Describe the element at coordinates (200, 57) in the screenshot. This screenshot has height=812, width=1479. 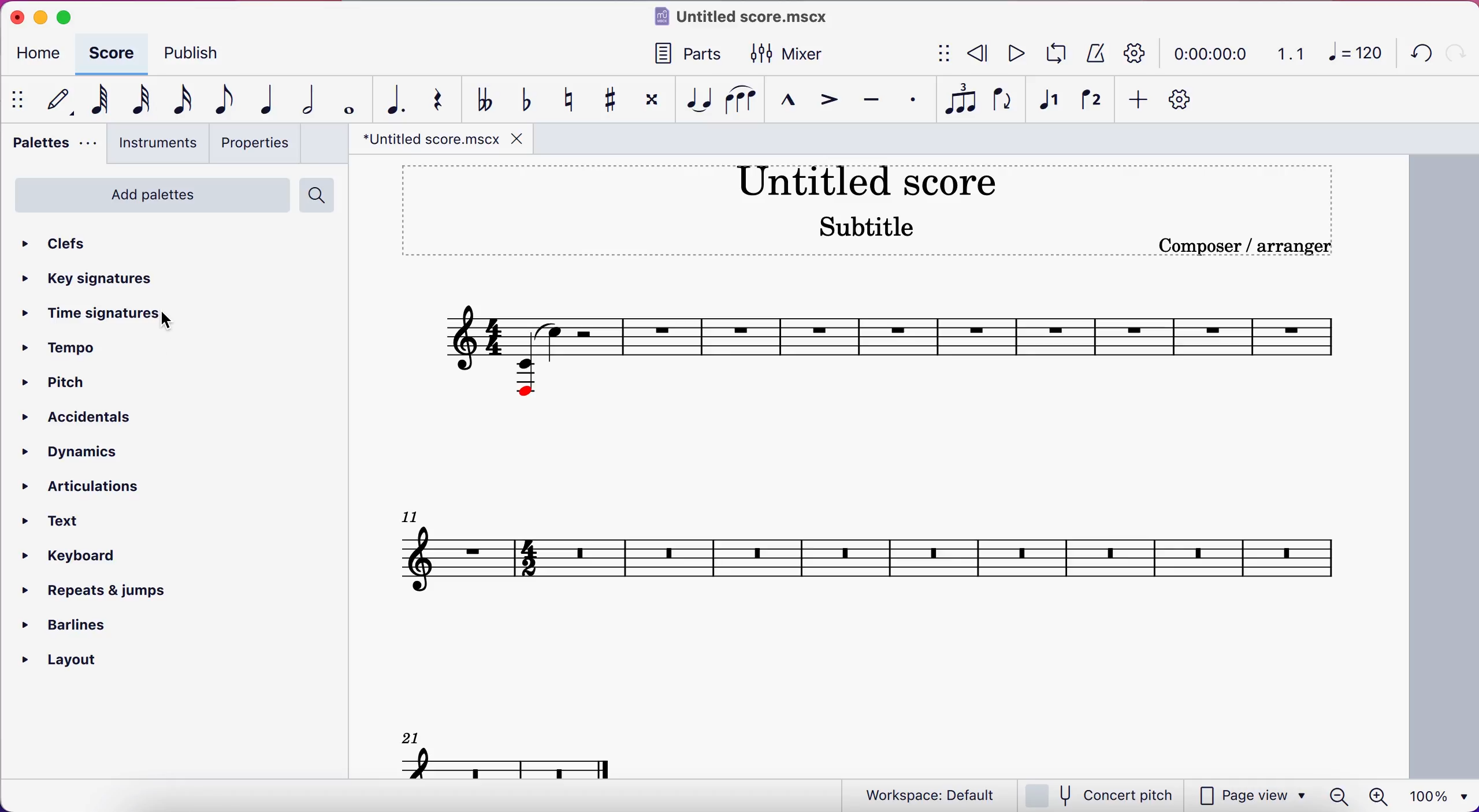
I see `publish` at that location.